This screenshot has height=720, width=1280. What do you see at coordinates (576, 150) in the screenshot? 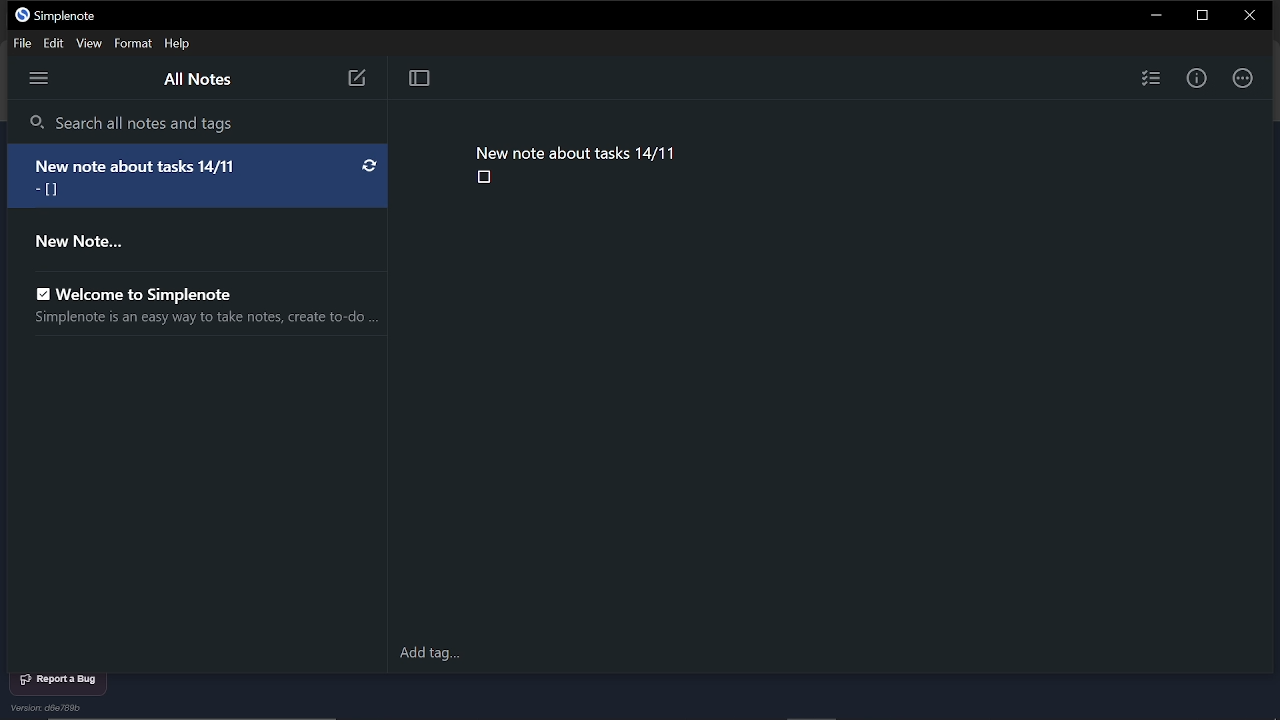
I see `New note about tasks 14/11` at bounding box center [576, 150].